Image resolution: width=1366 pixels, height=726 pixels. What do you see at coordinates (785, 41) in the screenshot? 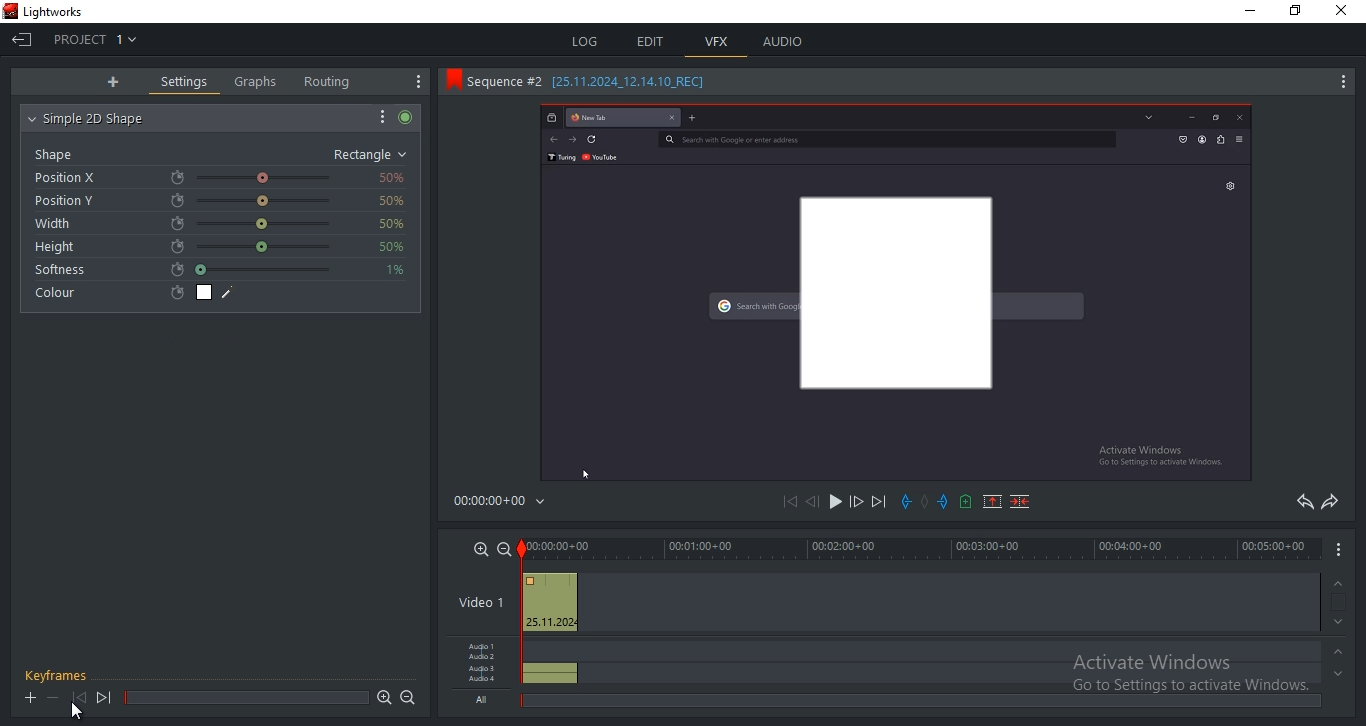
I see `audio` at bounding box center [785, 41].